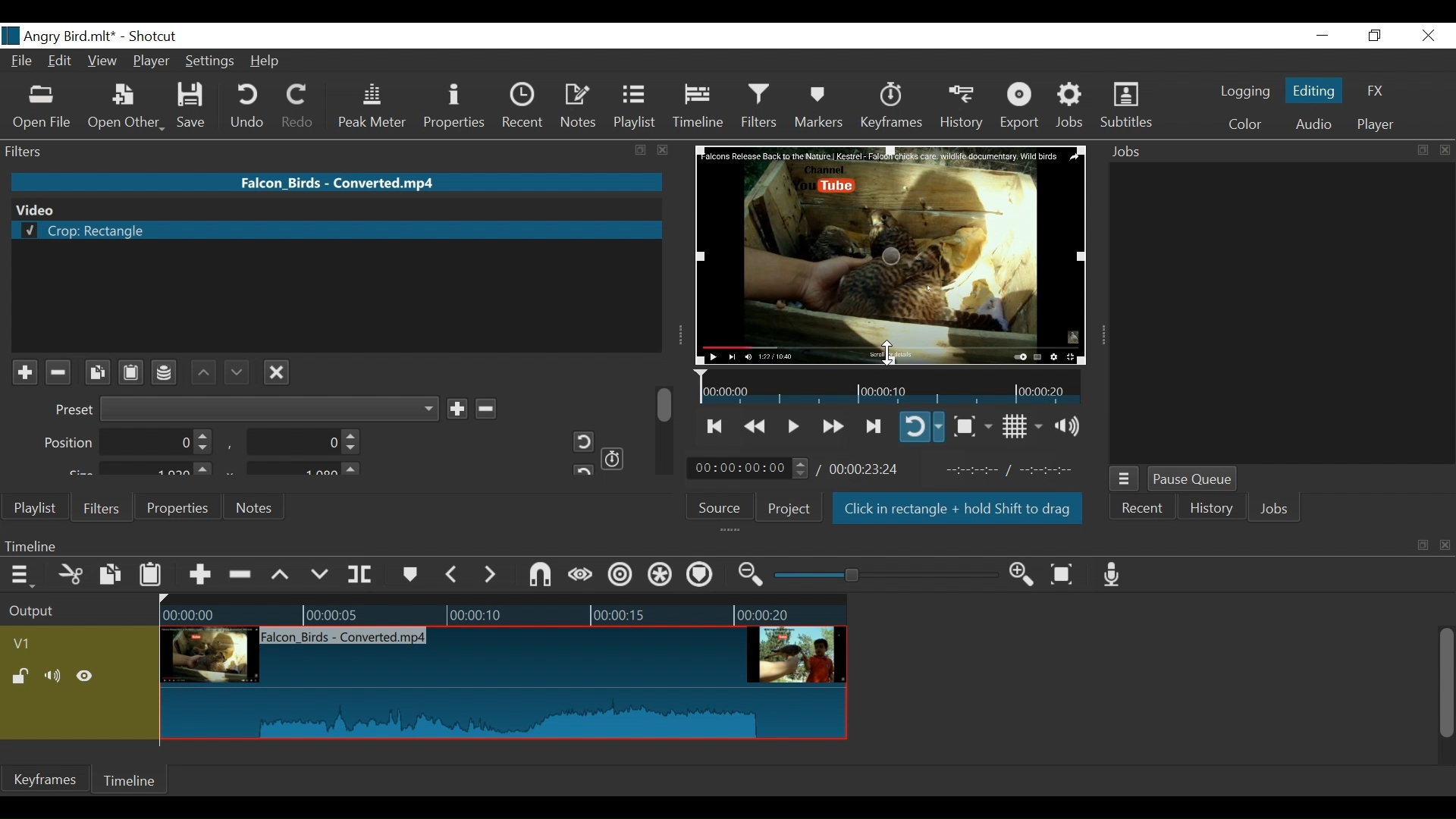  What do you see at coordinates (831, 428) in the screenshot?
I see `play forward quickly` at bounding box center [831, 428].